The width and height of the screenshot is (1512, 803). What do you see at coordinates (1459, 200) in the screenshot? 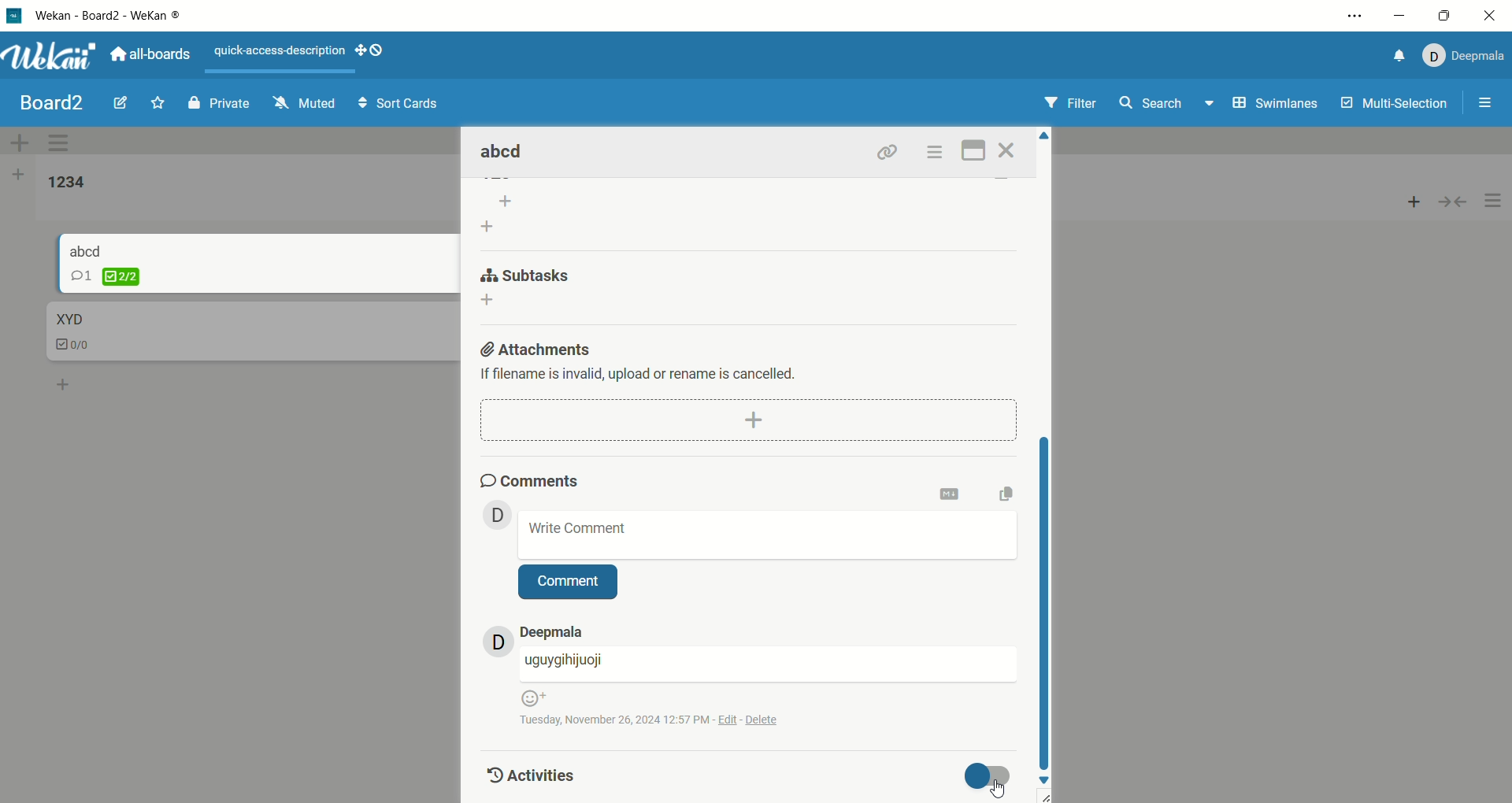
I see `collapse` at bounding box center [1459, 200].